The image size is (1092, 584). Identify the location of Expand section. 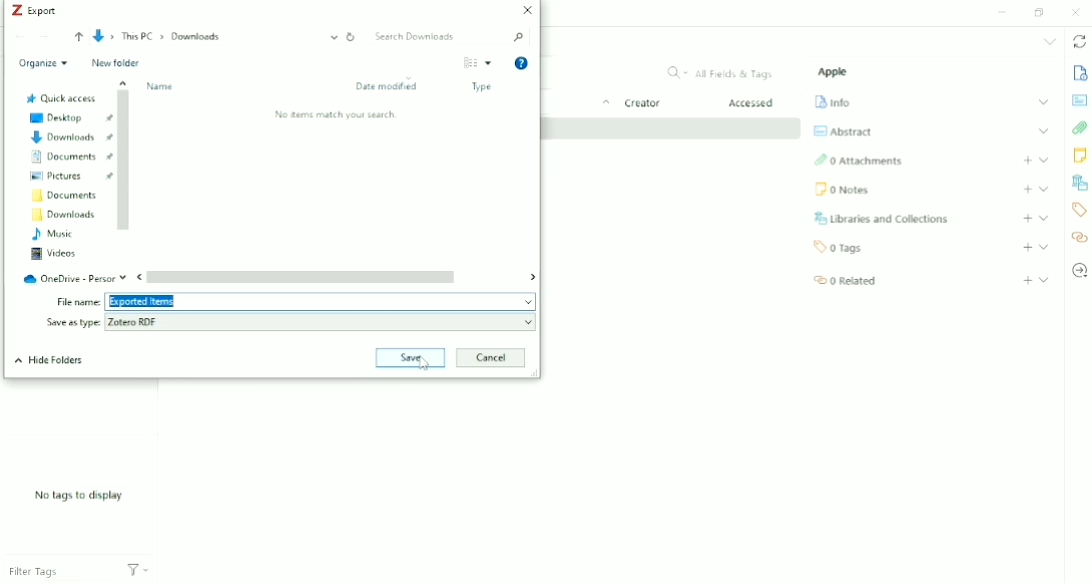
(1044, 188).